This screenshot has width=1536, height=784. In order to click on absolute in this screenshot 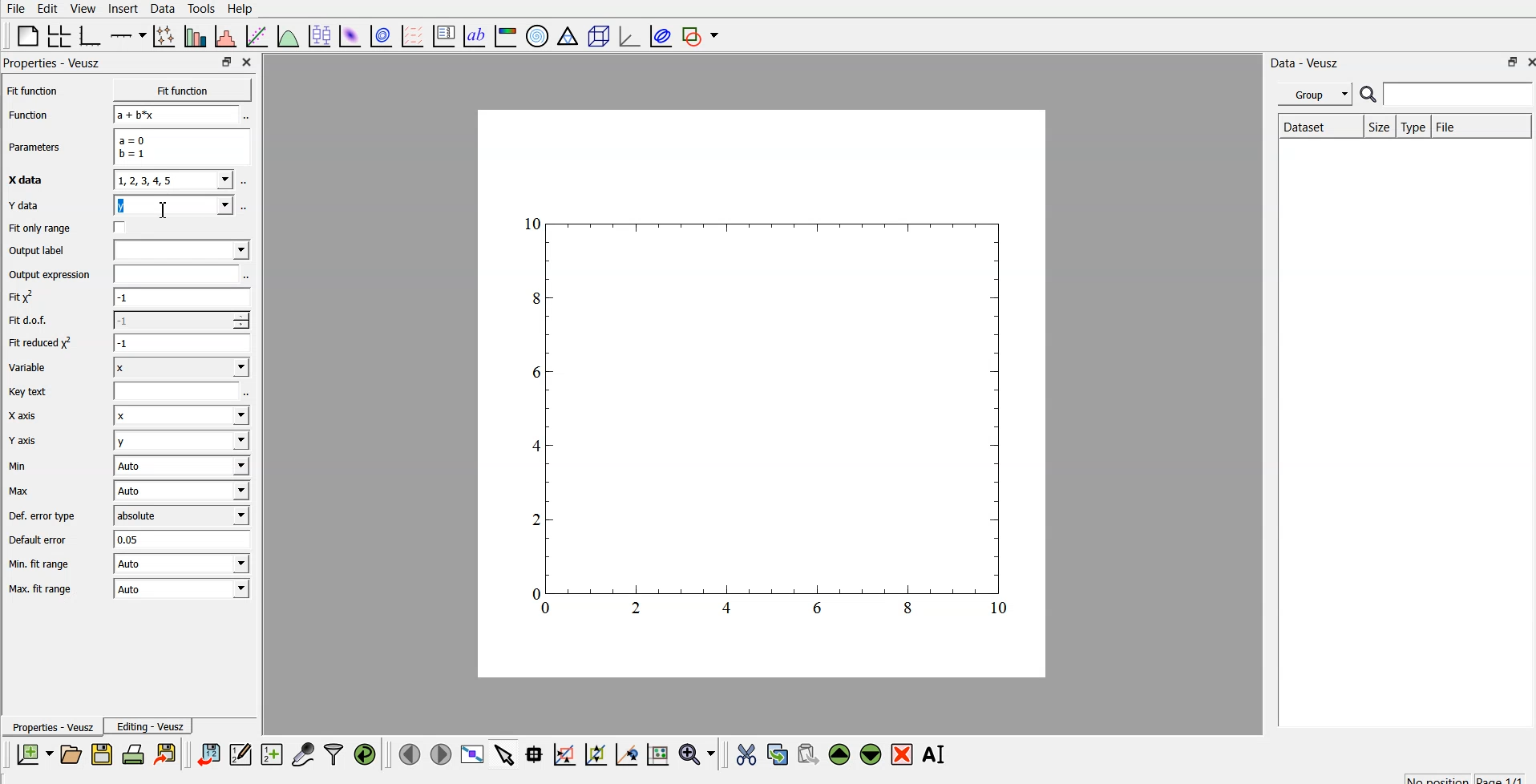, I will do `click(182, 517)`.